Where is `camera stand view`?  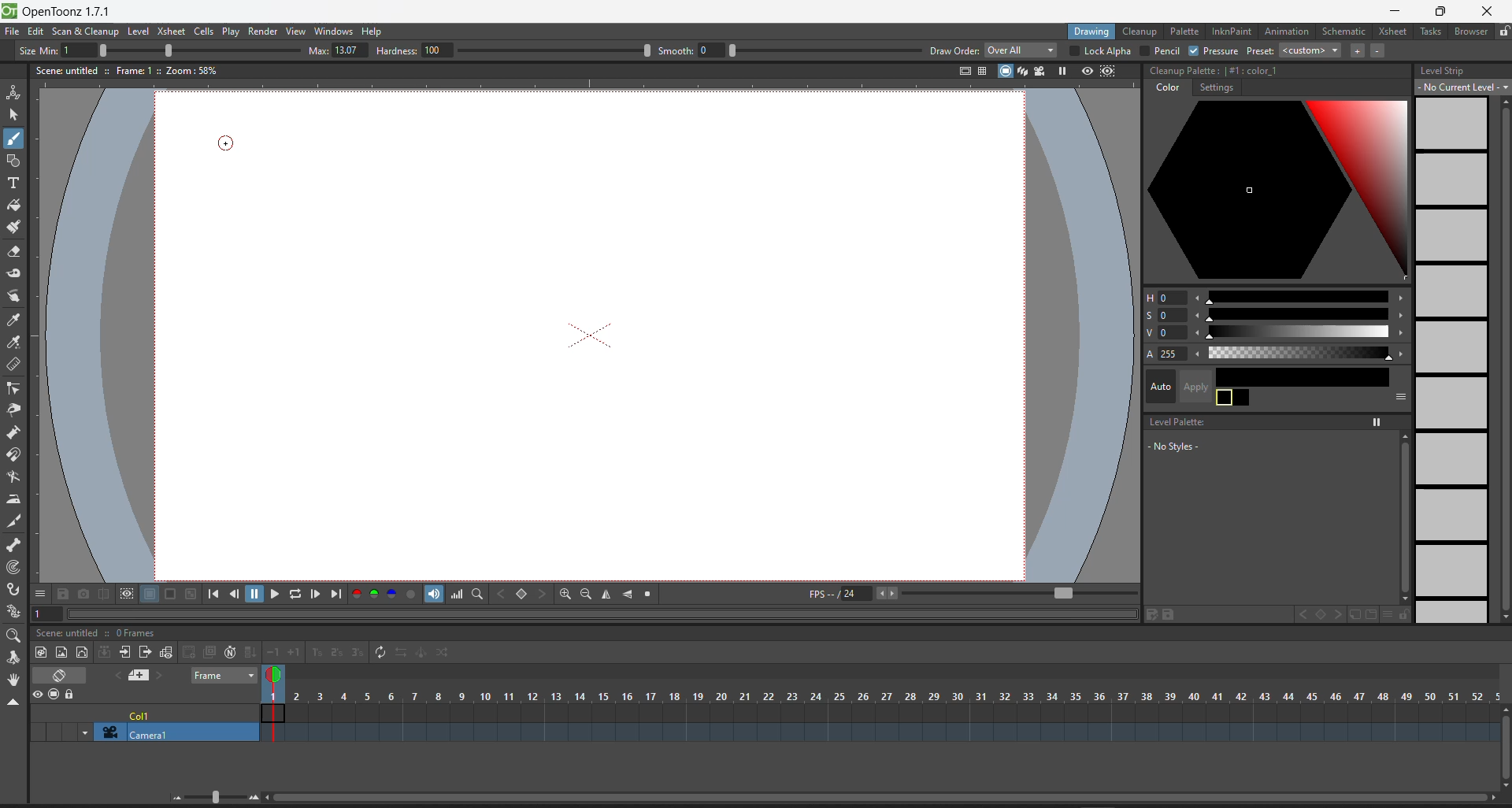
camera stand view is located at coordinates (1000, 70).